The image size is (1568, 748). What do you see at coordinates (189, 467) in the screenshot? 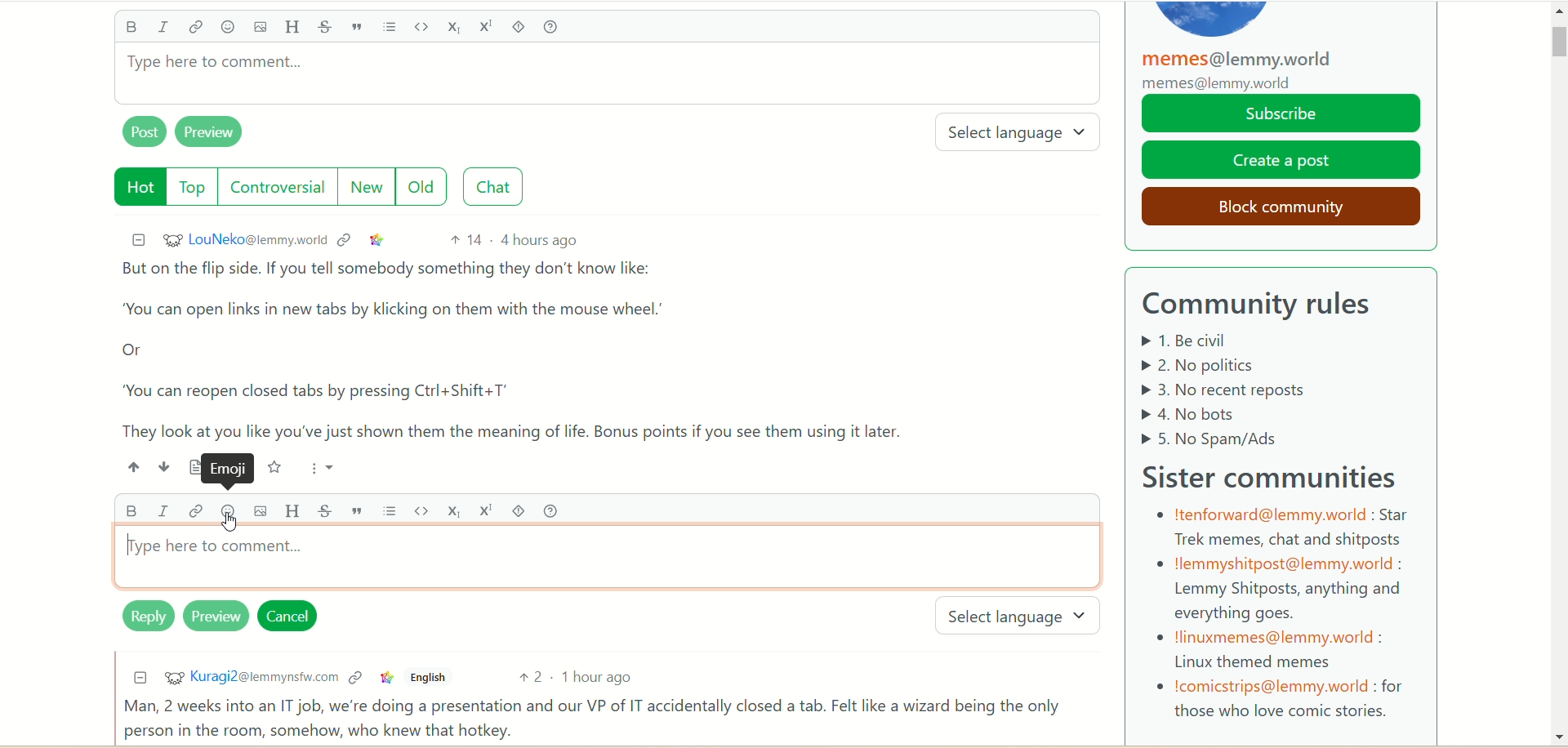
I see `source` at bounding box center [189, 467].